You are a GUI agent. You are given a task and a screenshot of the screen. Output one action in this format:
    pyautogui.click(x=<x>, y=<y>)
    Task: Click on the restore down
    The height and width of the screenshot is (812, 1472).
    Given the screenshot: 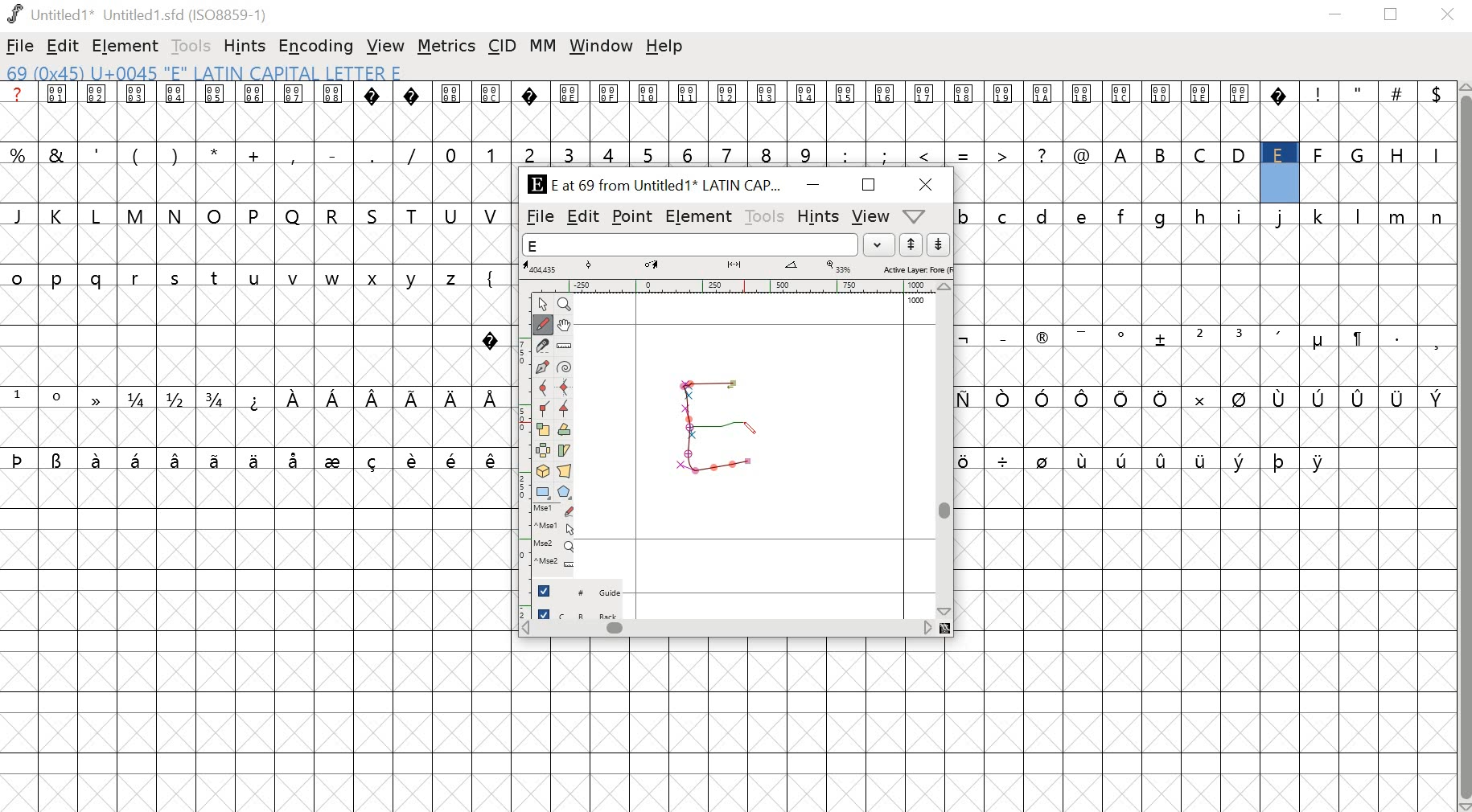 What is the action you would take?
    pyautogui.click(x=1392, y=15)
    